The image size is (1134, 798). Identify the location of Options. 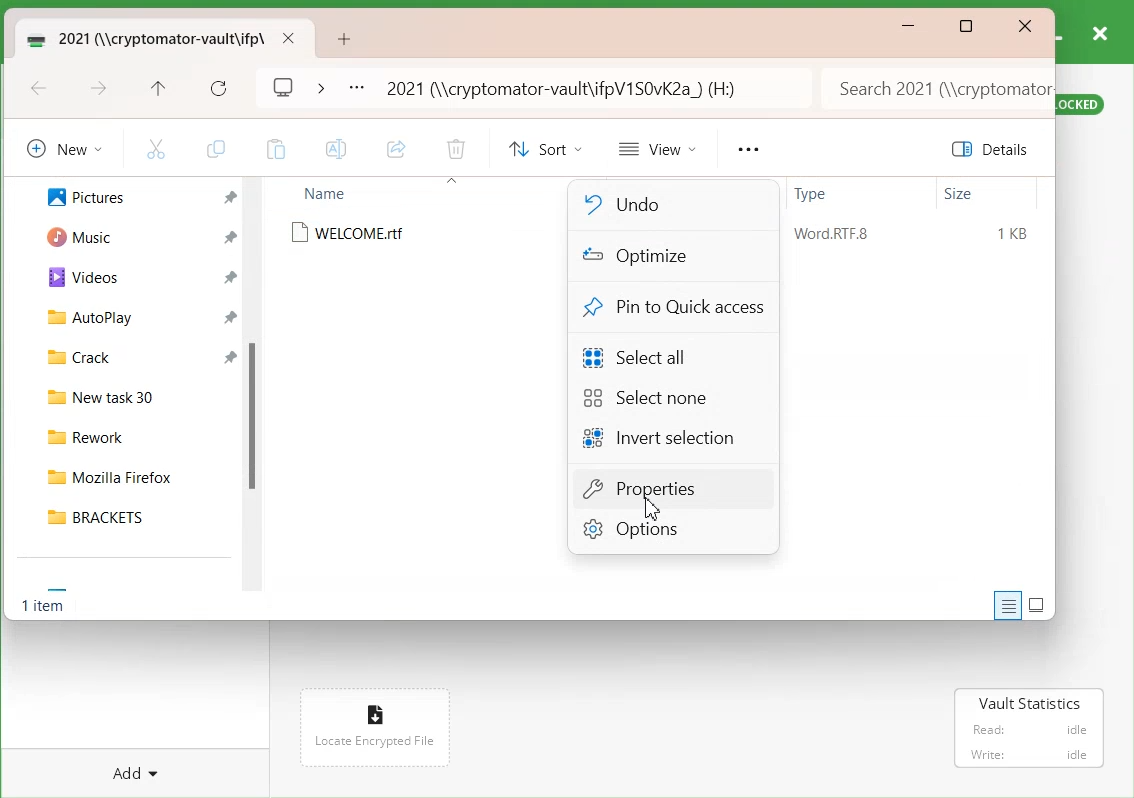
(673, 531).